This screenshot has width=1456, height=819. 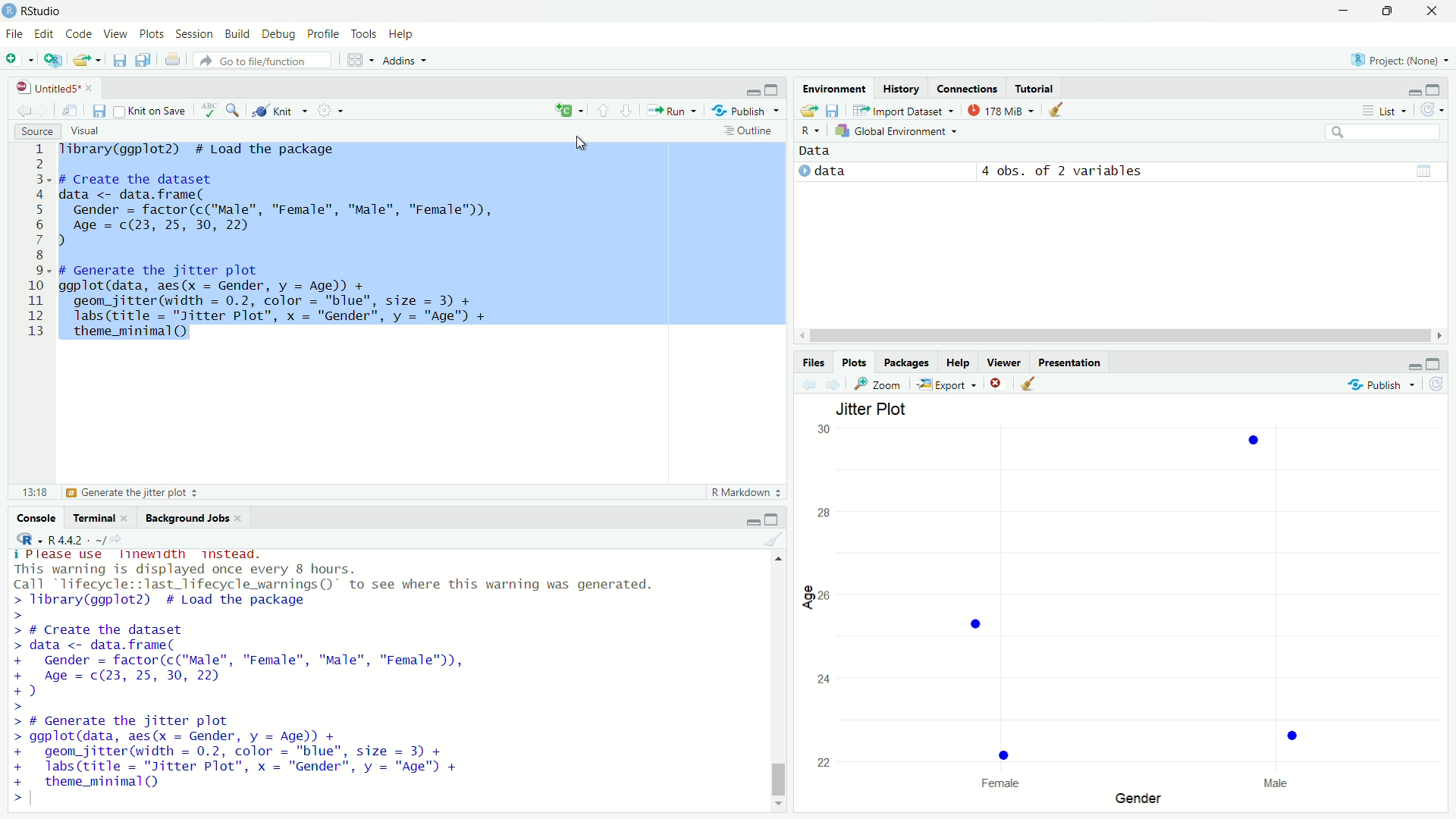 I want to click on view the current working directory, so click(x=123, y=539).